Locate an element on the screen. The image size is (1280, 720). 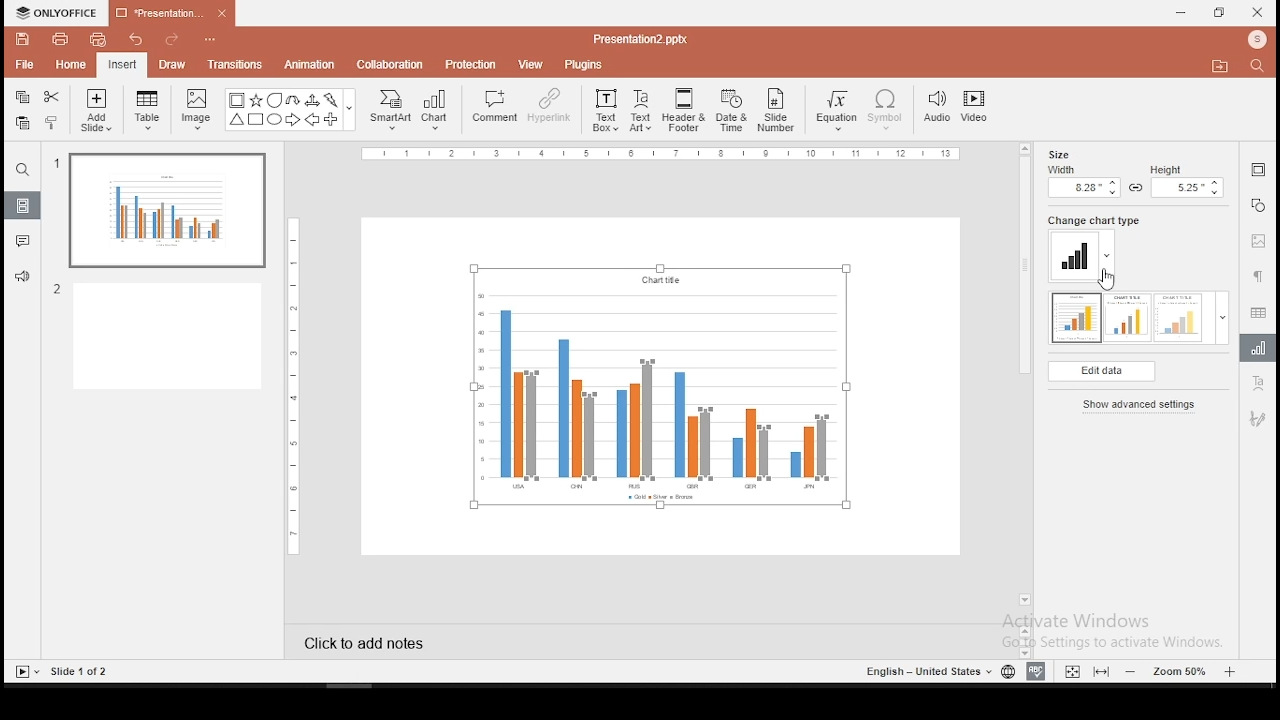
click to add notes is located at coordinates (364, 640).